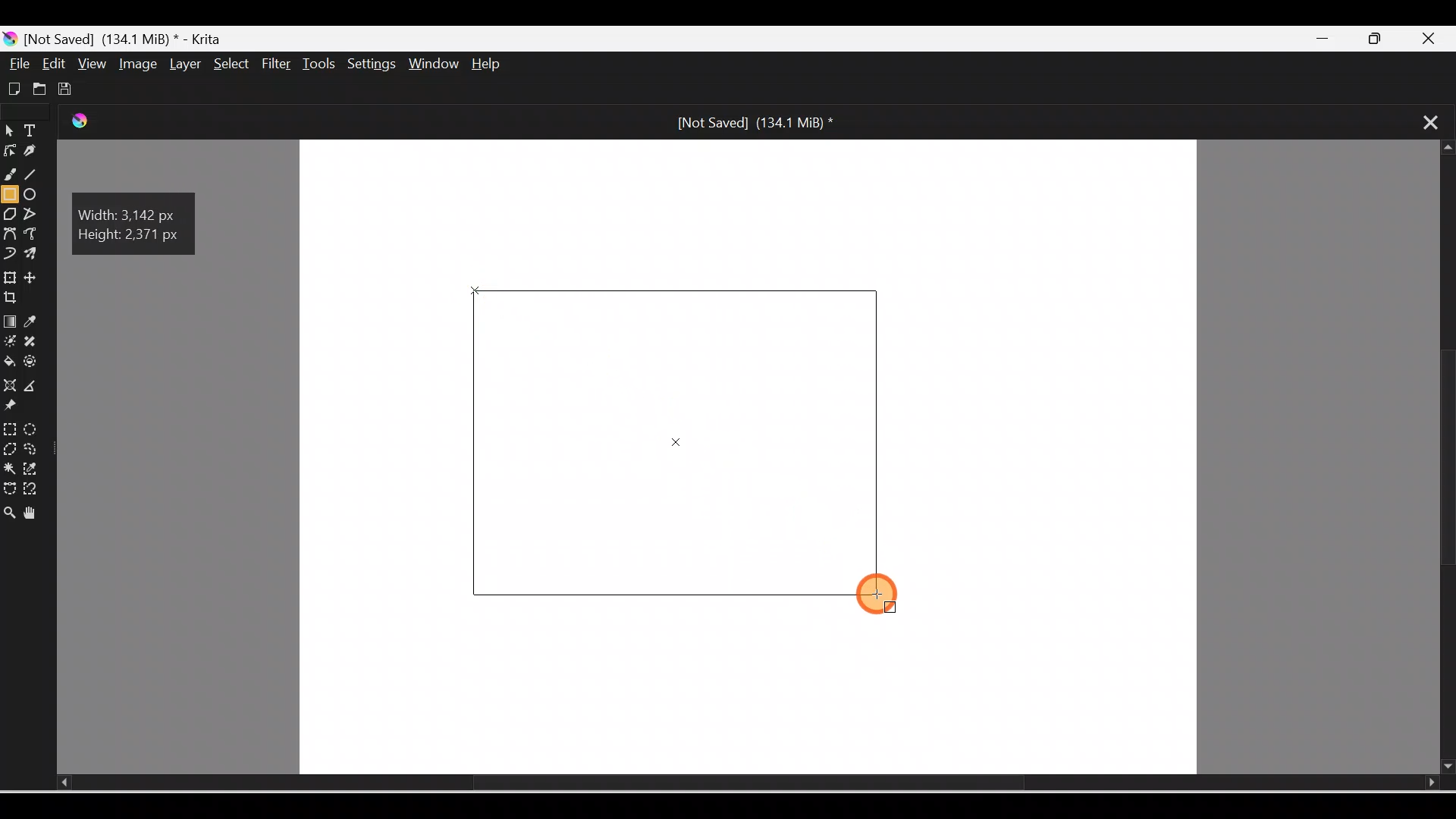 This screenshot has height=819, width=1456. What do you see at coordinates (9, 467) in the screenshot?
I see `Contiguous selection tool` at bounding box center [9, 467].